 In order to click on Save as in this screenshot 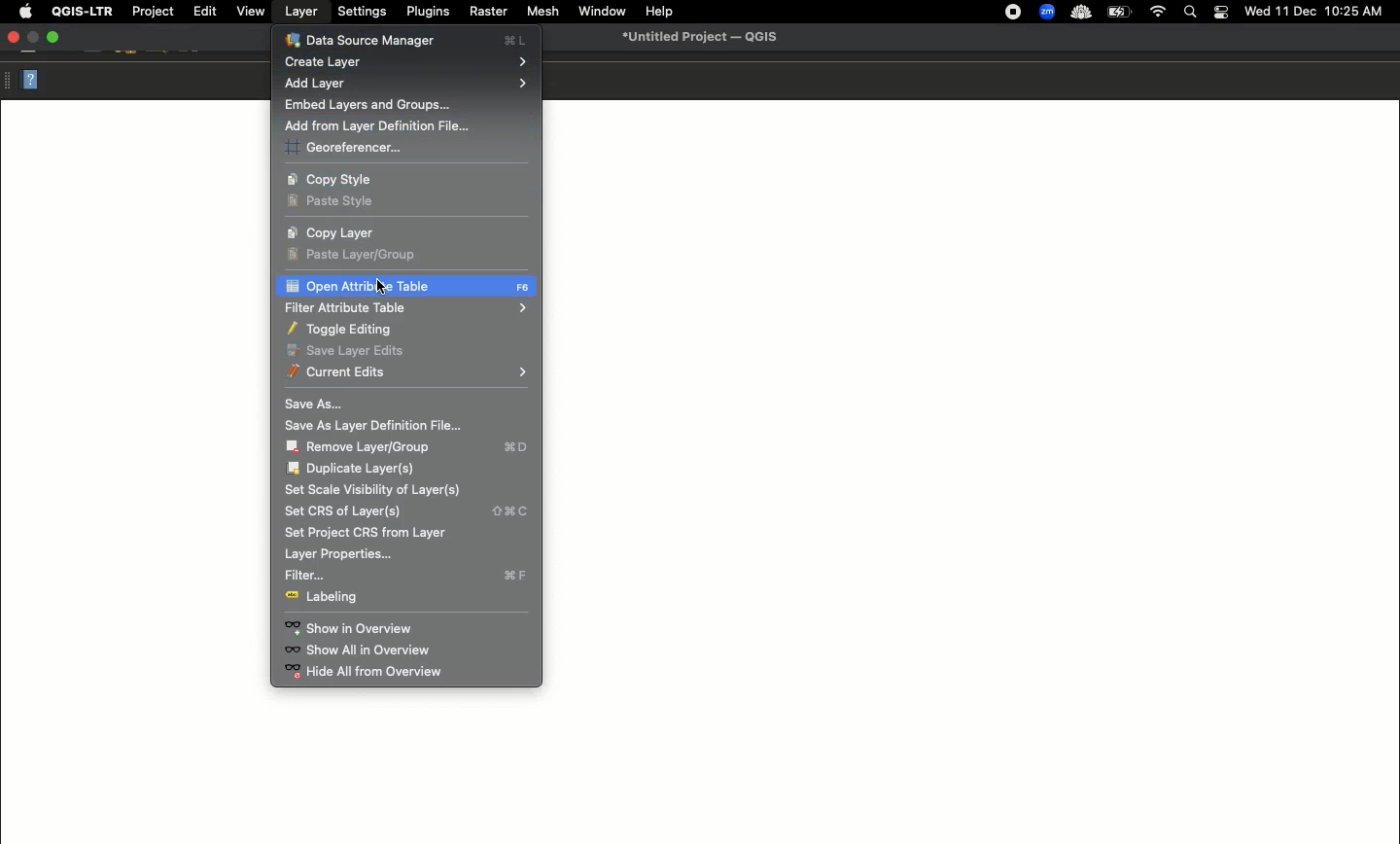, I will do `click(315, 403)`.